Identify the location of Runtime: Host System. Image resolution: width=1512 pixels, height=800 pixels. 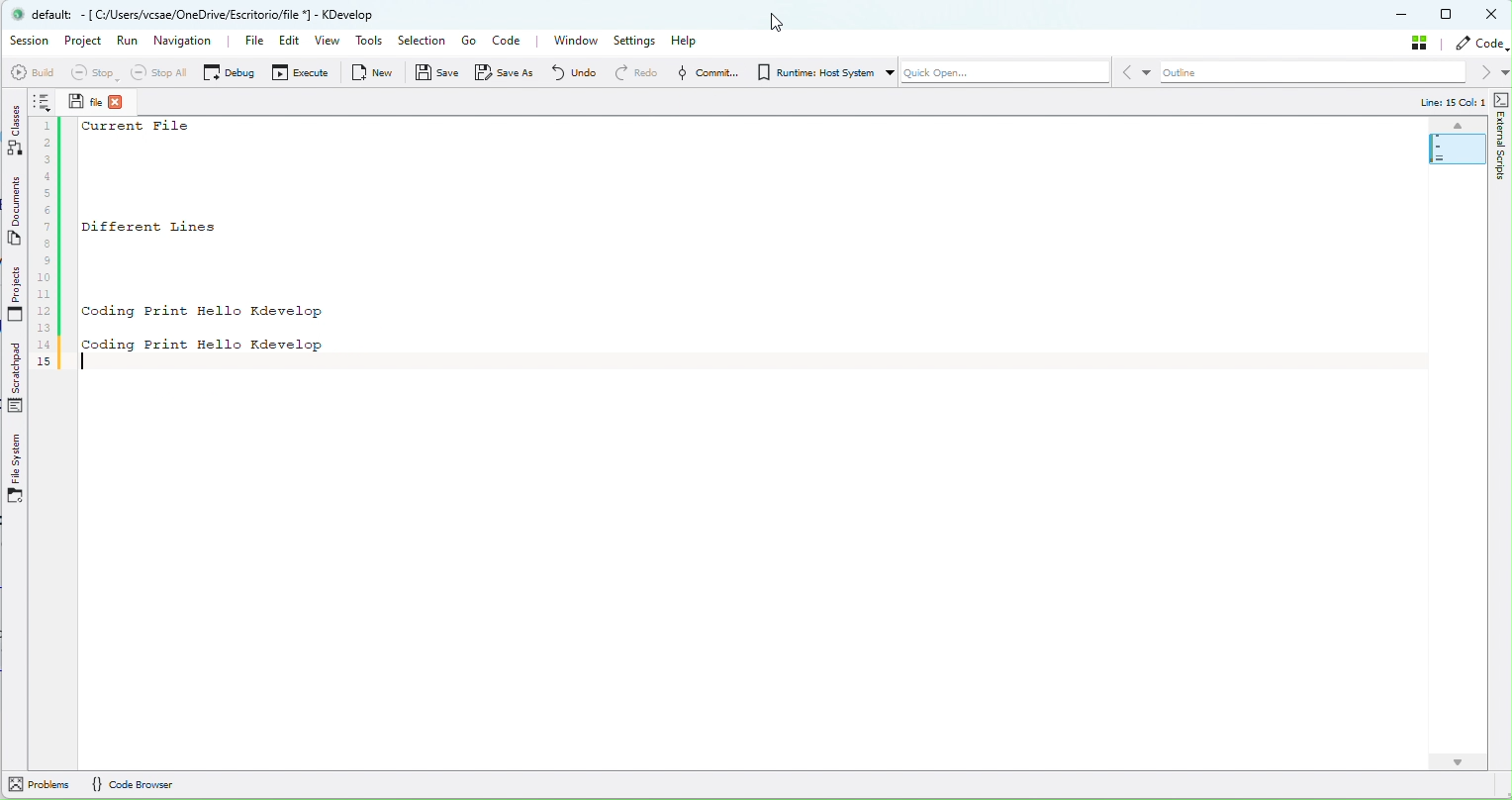
(813, 72).